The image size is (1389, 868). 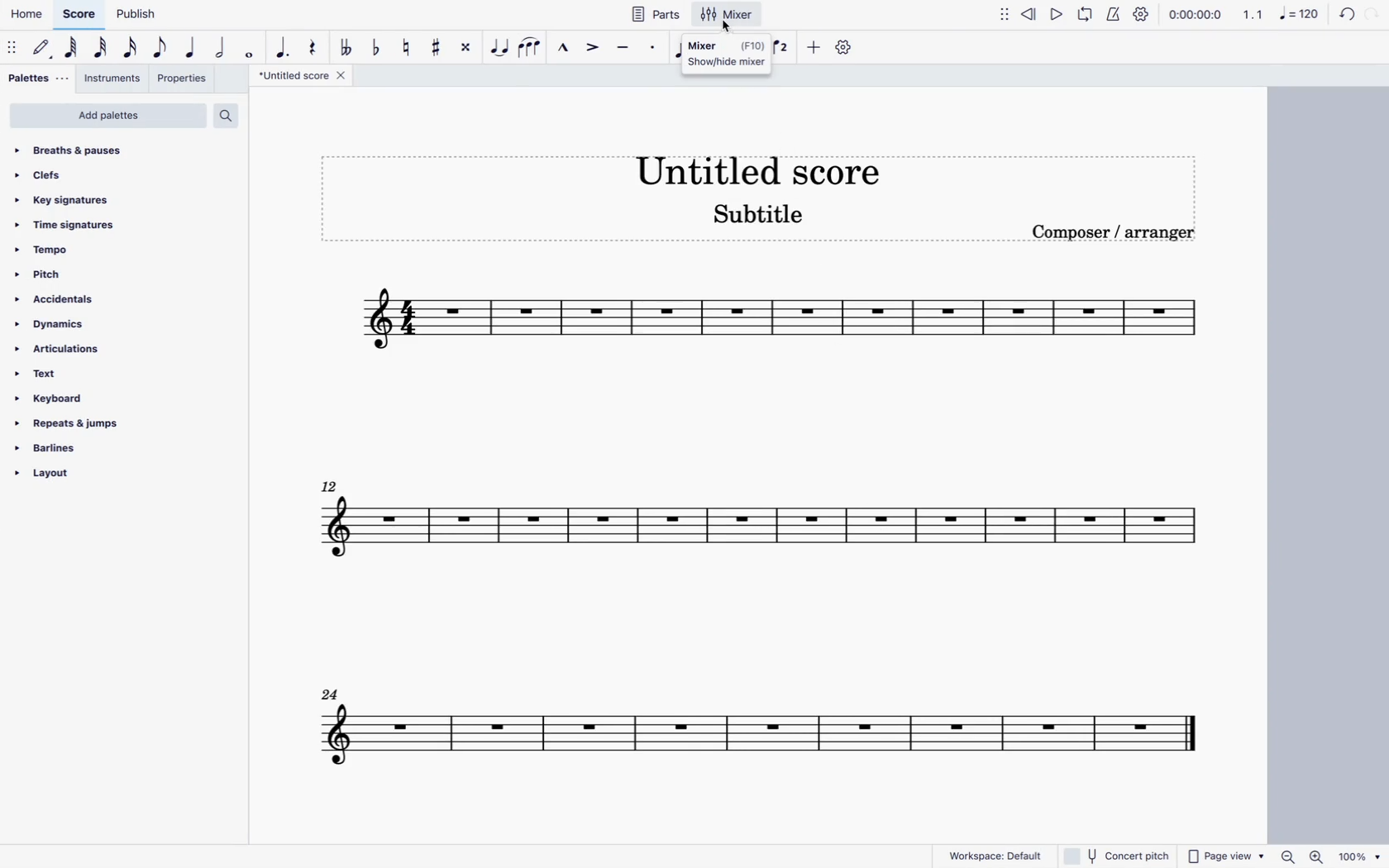 I want to click on full note, so click(x=250, y=48).